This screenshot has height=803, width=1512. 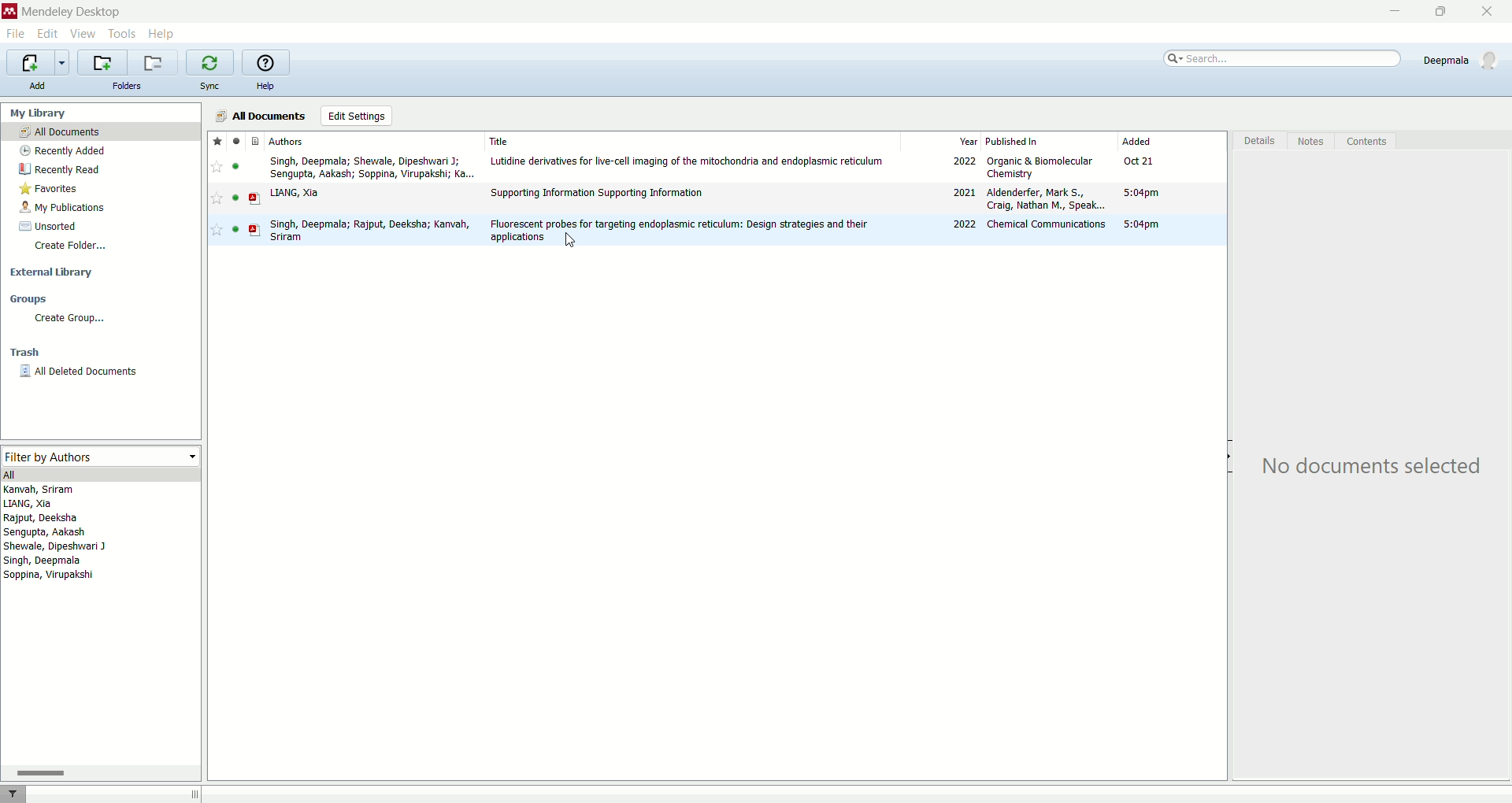 I want to click on remove current folder, so click(x=155, y=63).